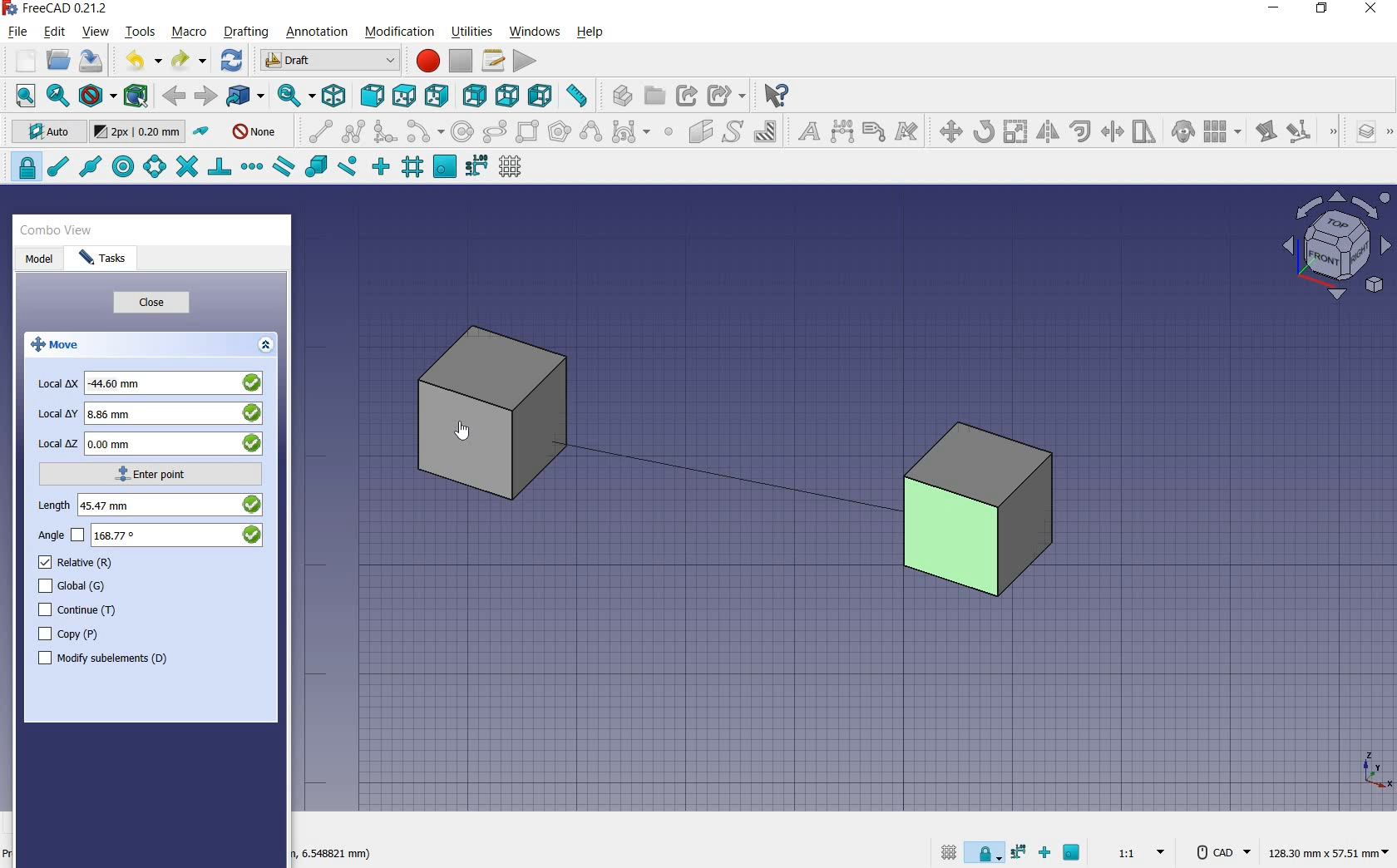 The width and height of the screenshot is (1397, 868). What do you see at coordinates (412, 168) in the screenshot?
I see `snap grid` at bounding box center [412, 168].